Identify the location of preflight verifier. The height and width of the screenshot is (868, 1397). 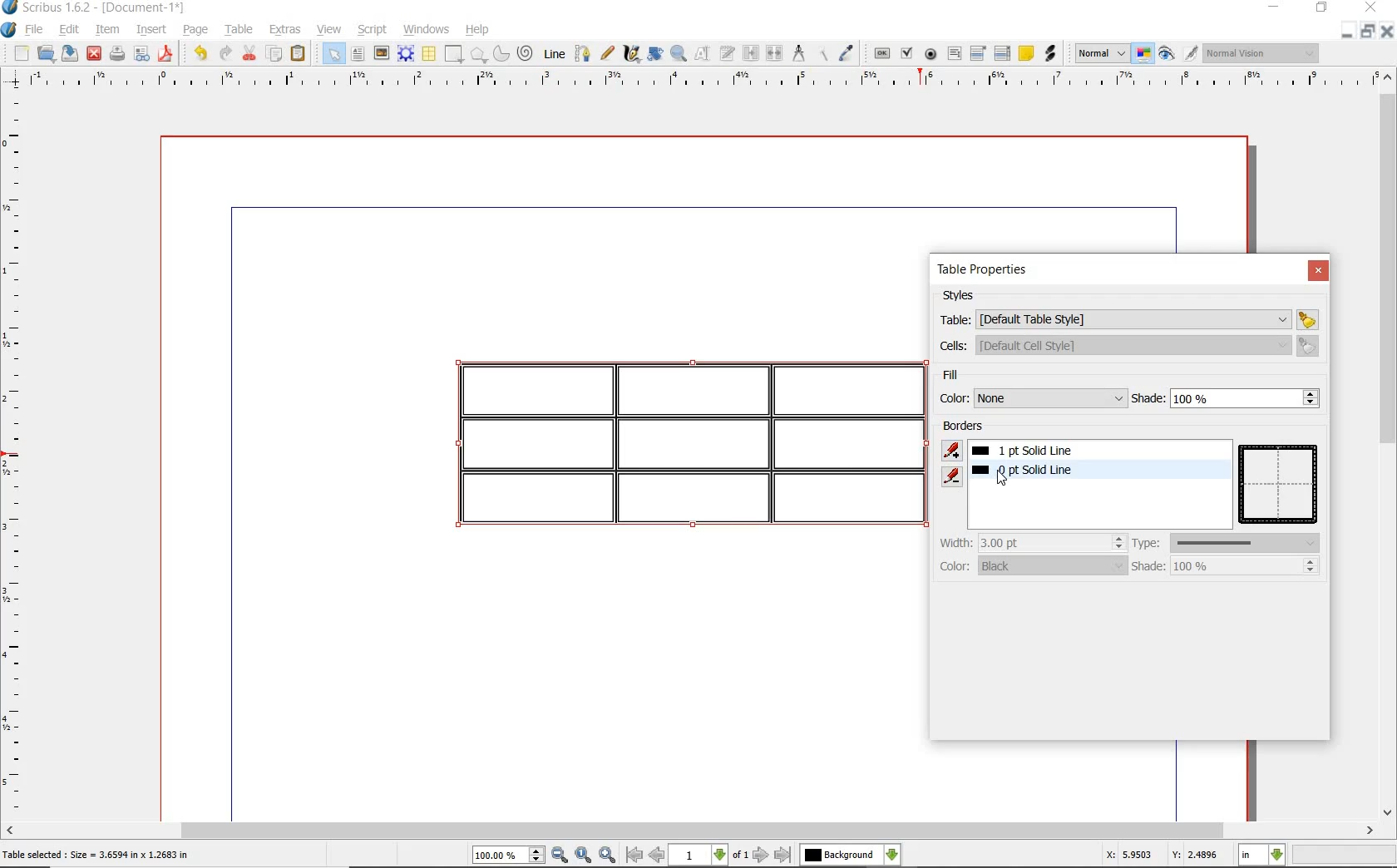
(140, 55).